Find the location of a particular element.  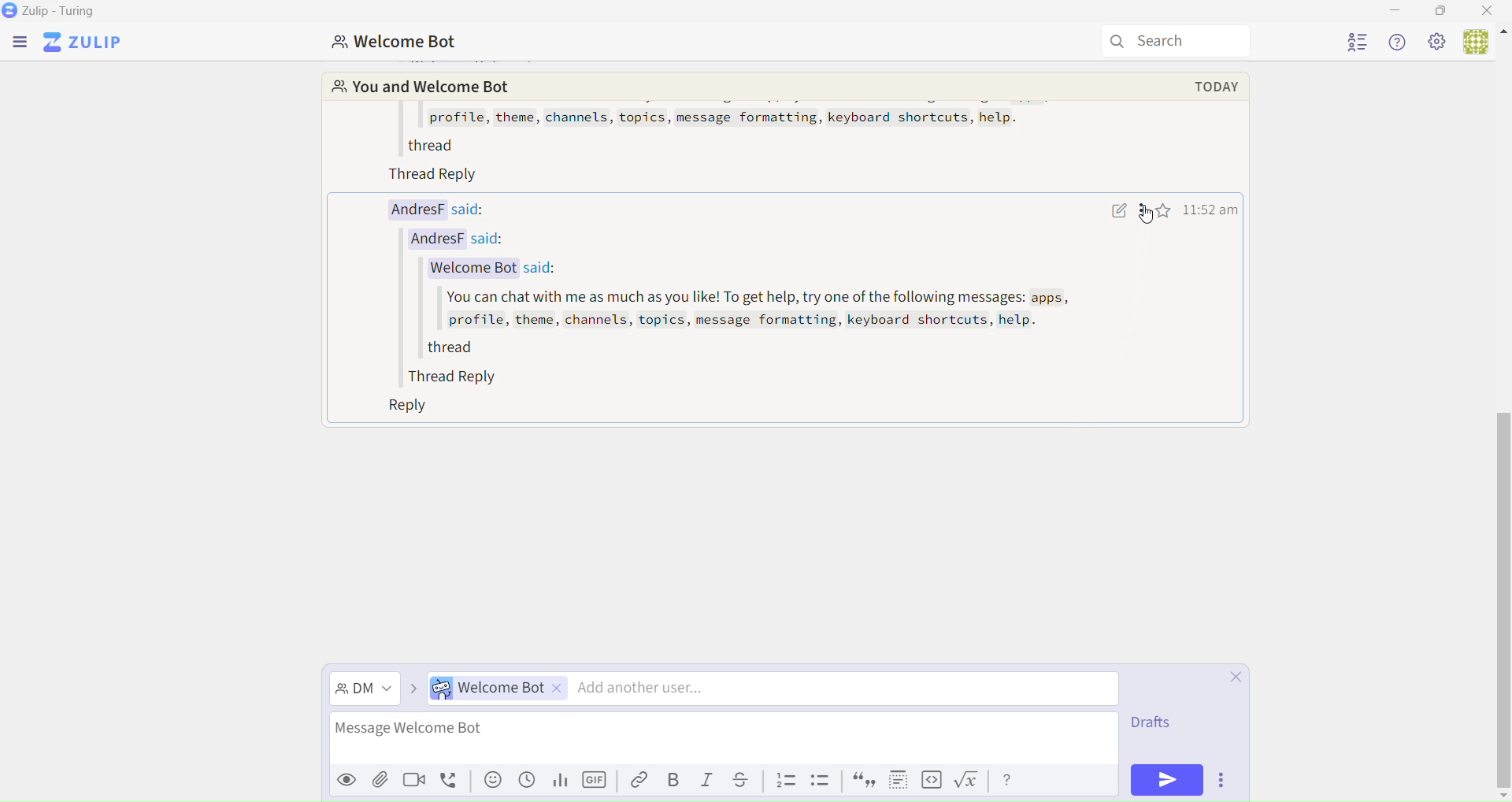

Search is located at coordinates (1177, 39).